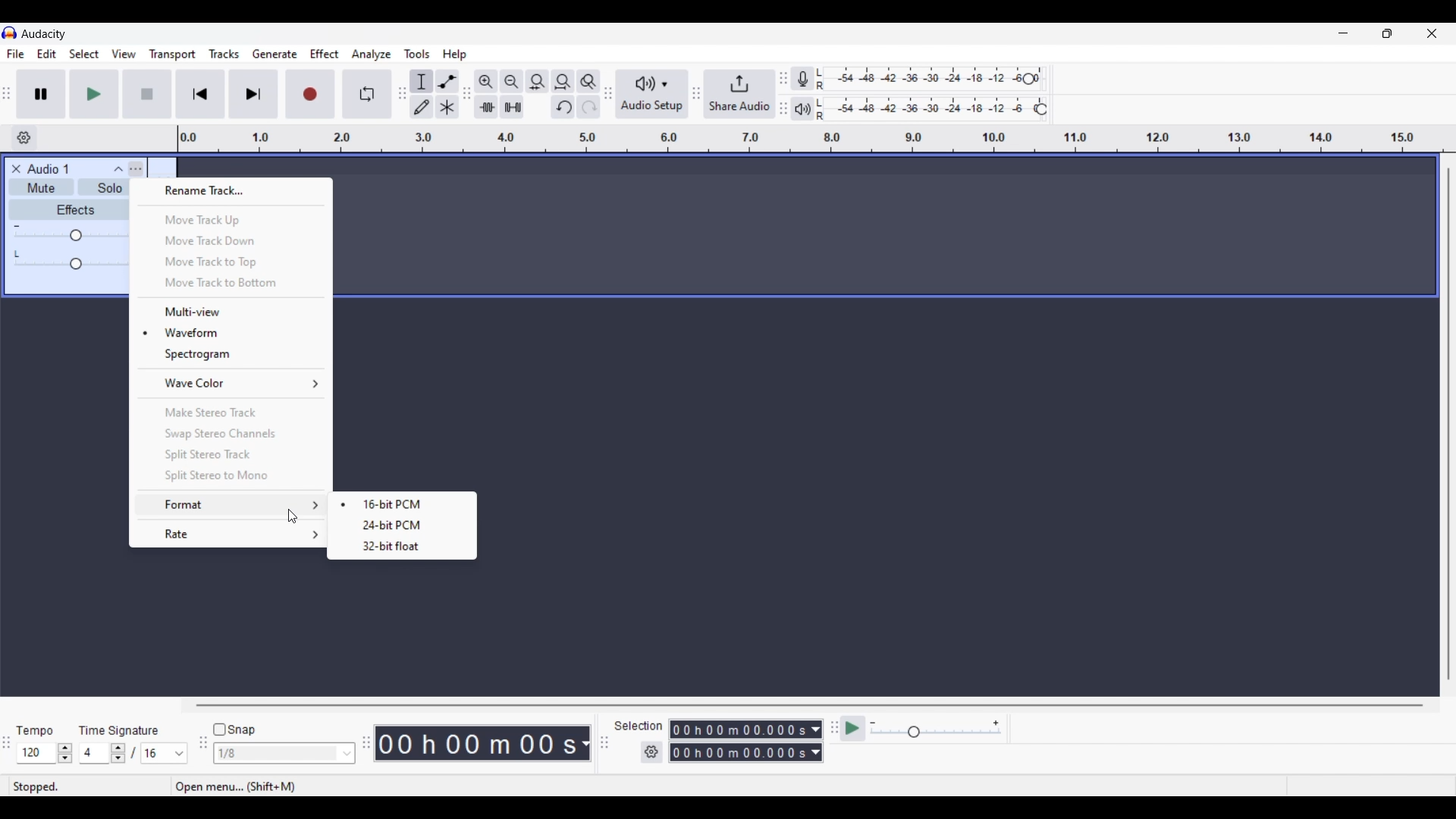 The height and width of the screenshot is (819, 1456). What do you see at coordinates (422, 107) in the screenshot?
I see `Draw tool` at bounding box center [422, 107].